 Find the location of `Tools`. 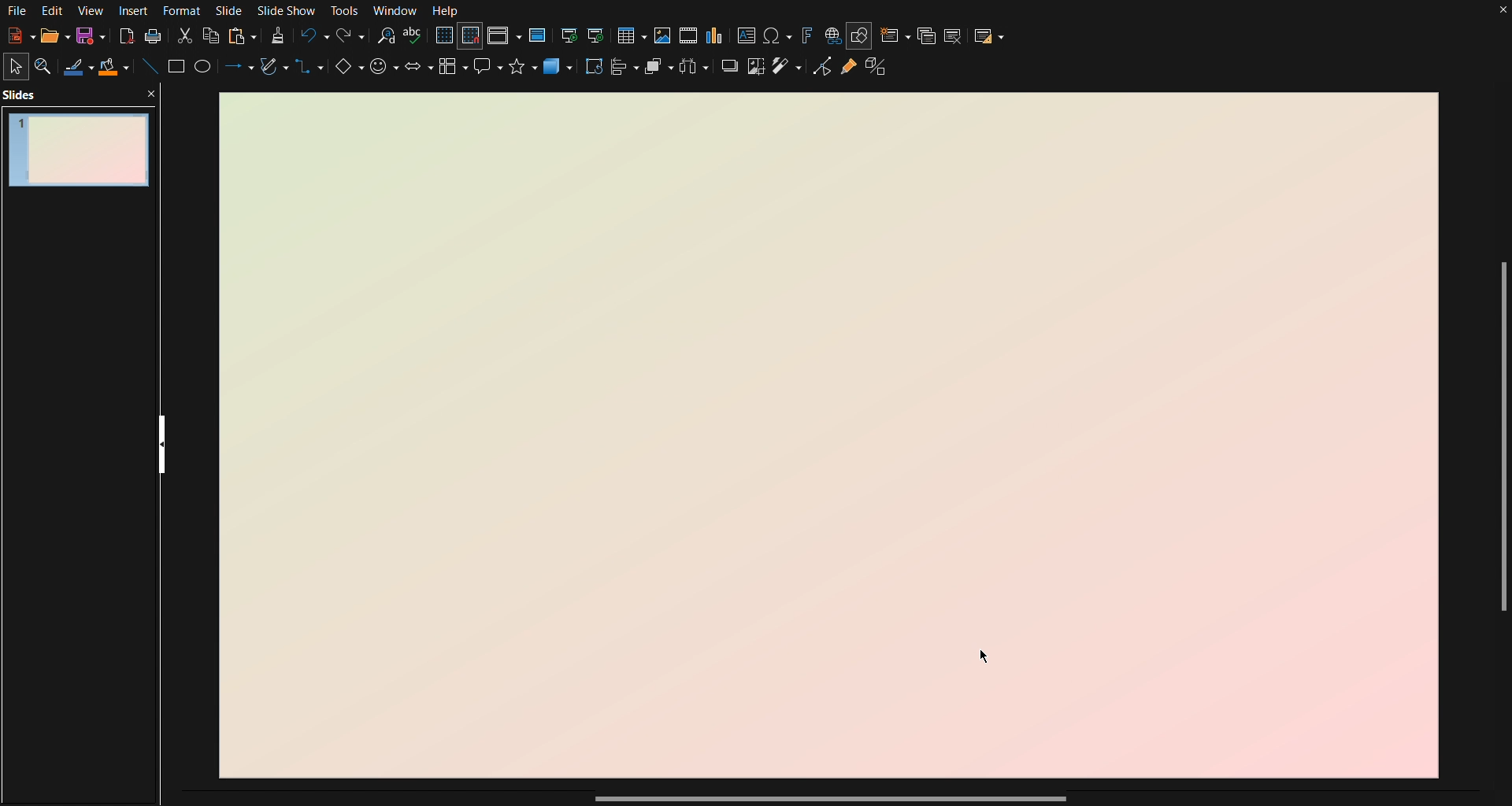

Tools is located at coordinates (346, 11).